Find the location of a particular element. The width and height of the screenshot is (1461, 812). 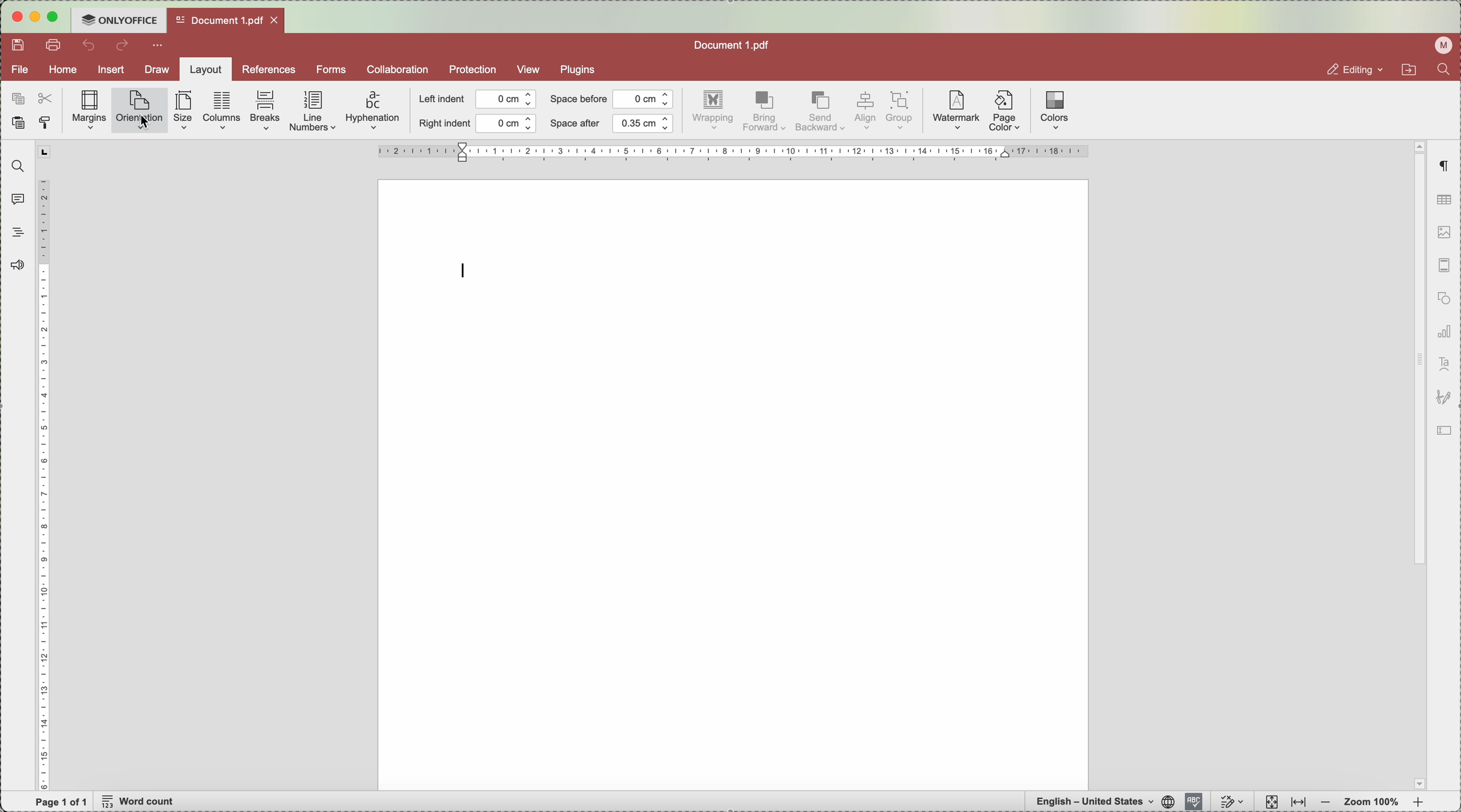

colors is located at coordinates (1054, 110).